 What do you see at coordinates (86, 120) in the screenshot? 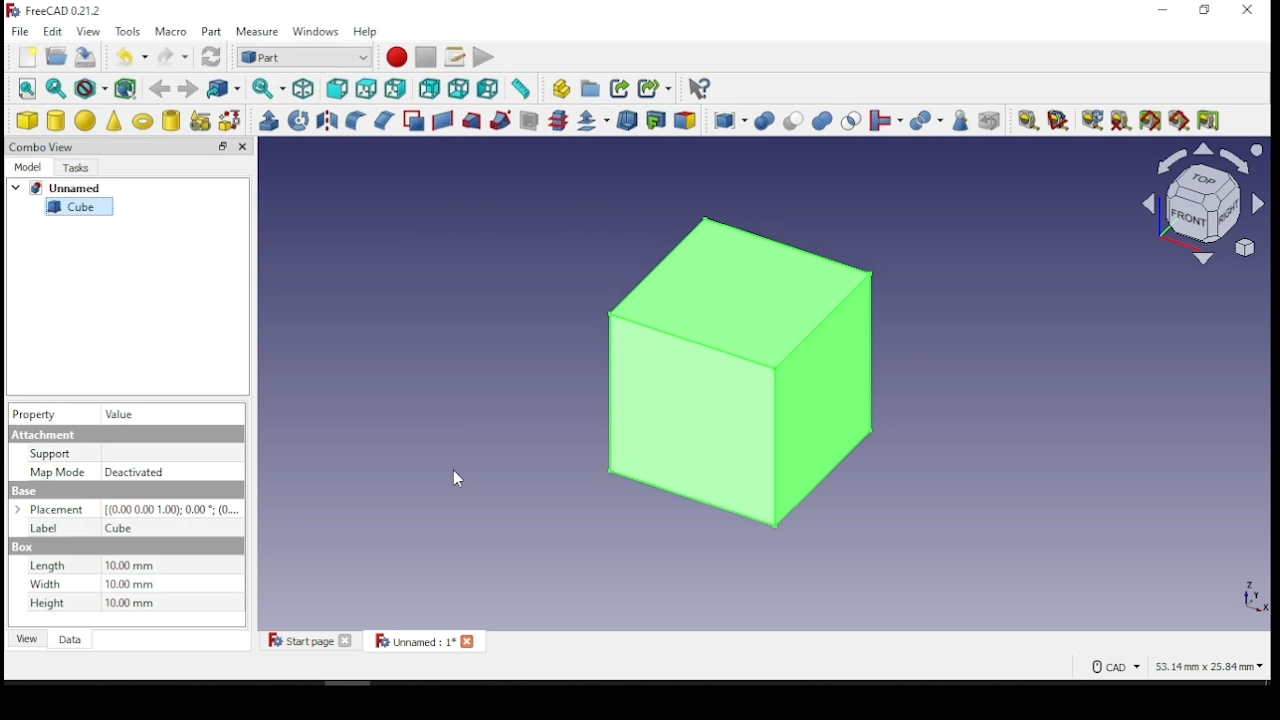
I see `sphere` at bounding box center [86, 120].